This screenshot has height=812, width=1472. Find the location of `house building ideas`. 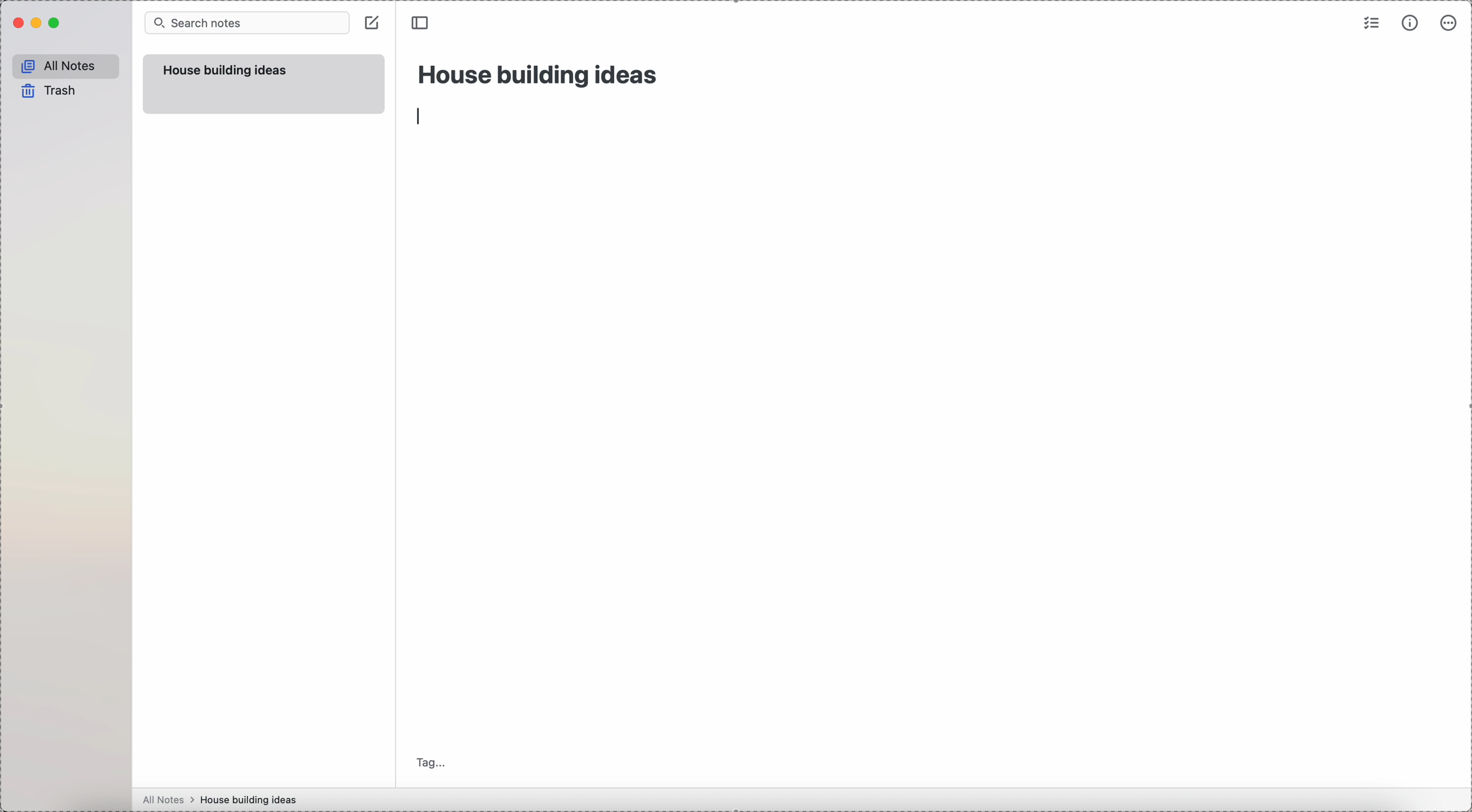

house building ideas is located at coordinates (252, 799).